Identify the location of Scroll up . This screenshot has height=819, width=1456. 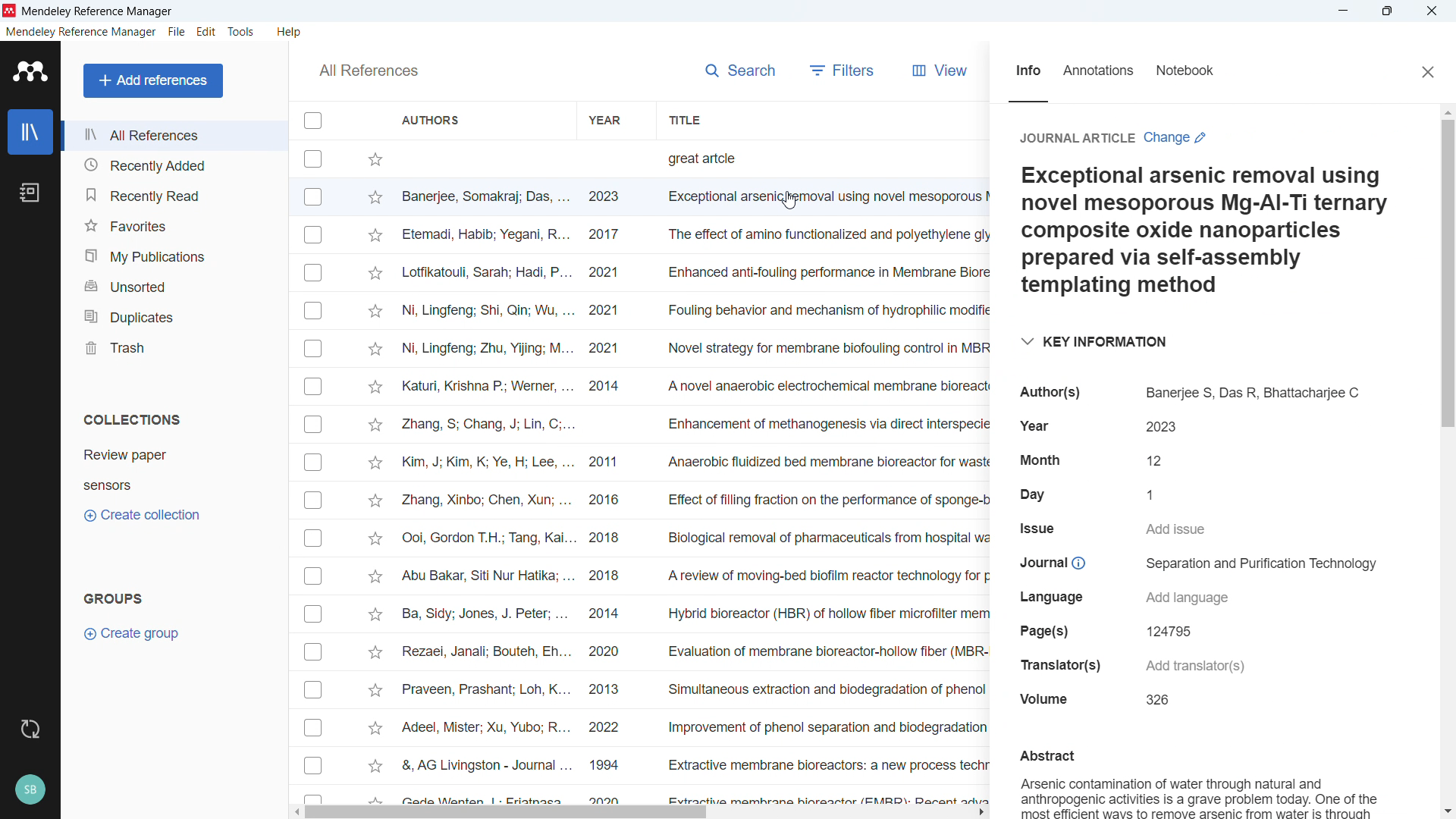
(1447, 112).